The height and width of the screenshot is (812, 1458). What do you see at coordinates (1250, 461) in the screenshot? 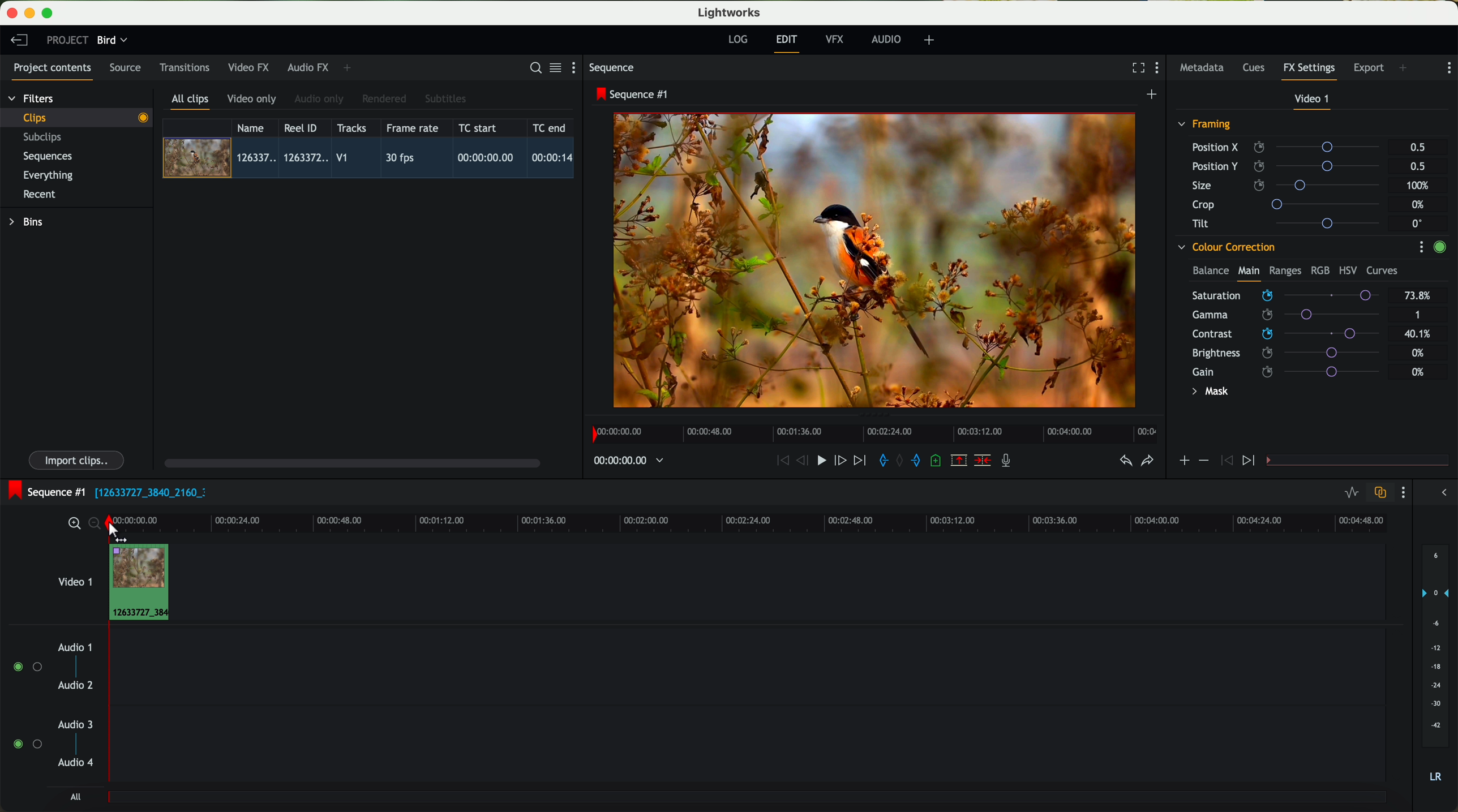
I see `icon` at bounding box center [1250, 461].